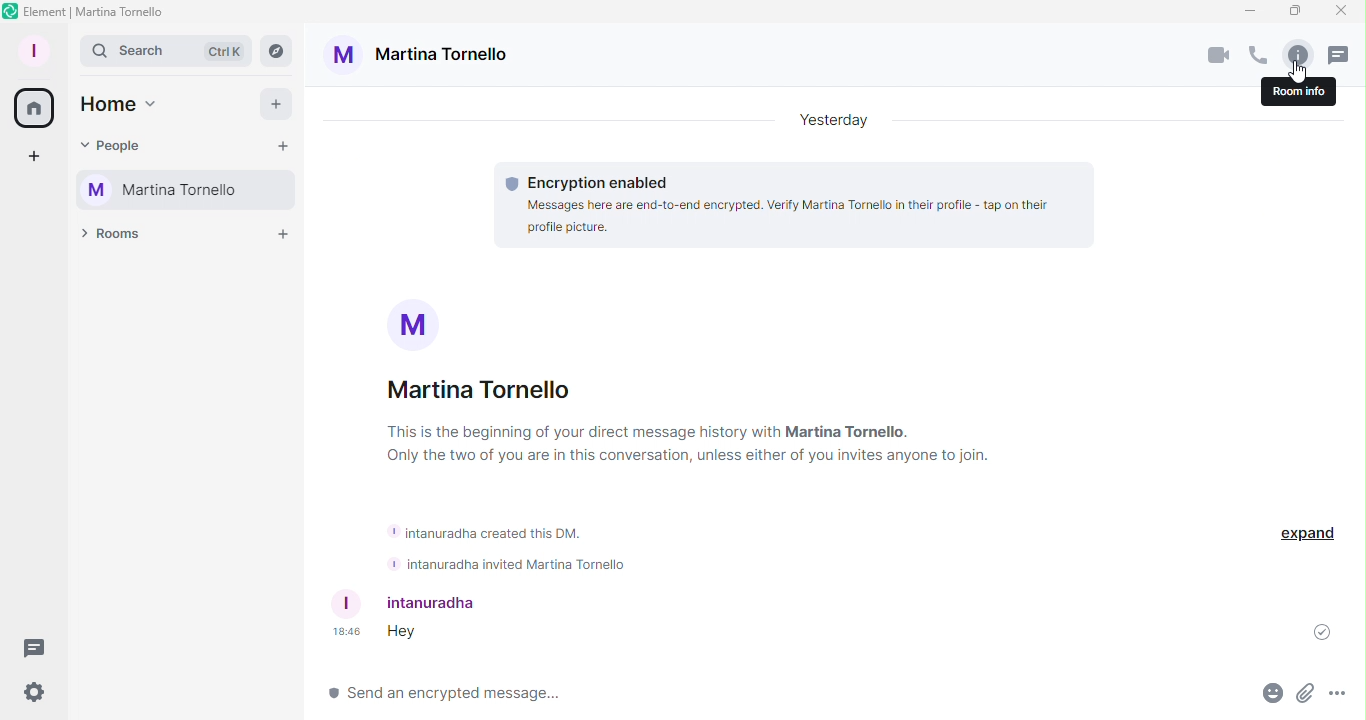 This screenshot has width=1366, height=720. What do you see at coordinates (168, 51) in the screenshot?
I see `Search bar` at bounding box center [168, 51].